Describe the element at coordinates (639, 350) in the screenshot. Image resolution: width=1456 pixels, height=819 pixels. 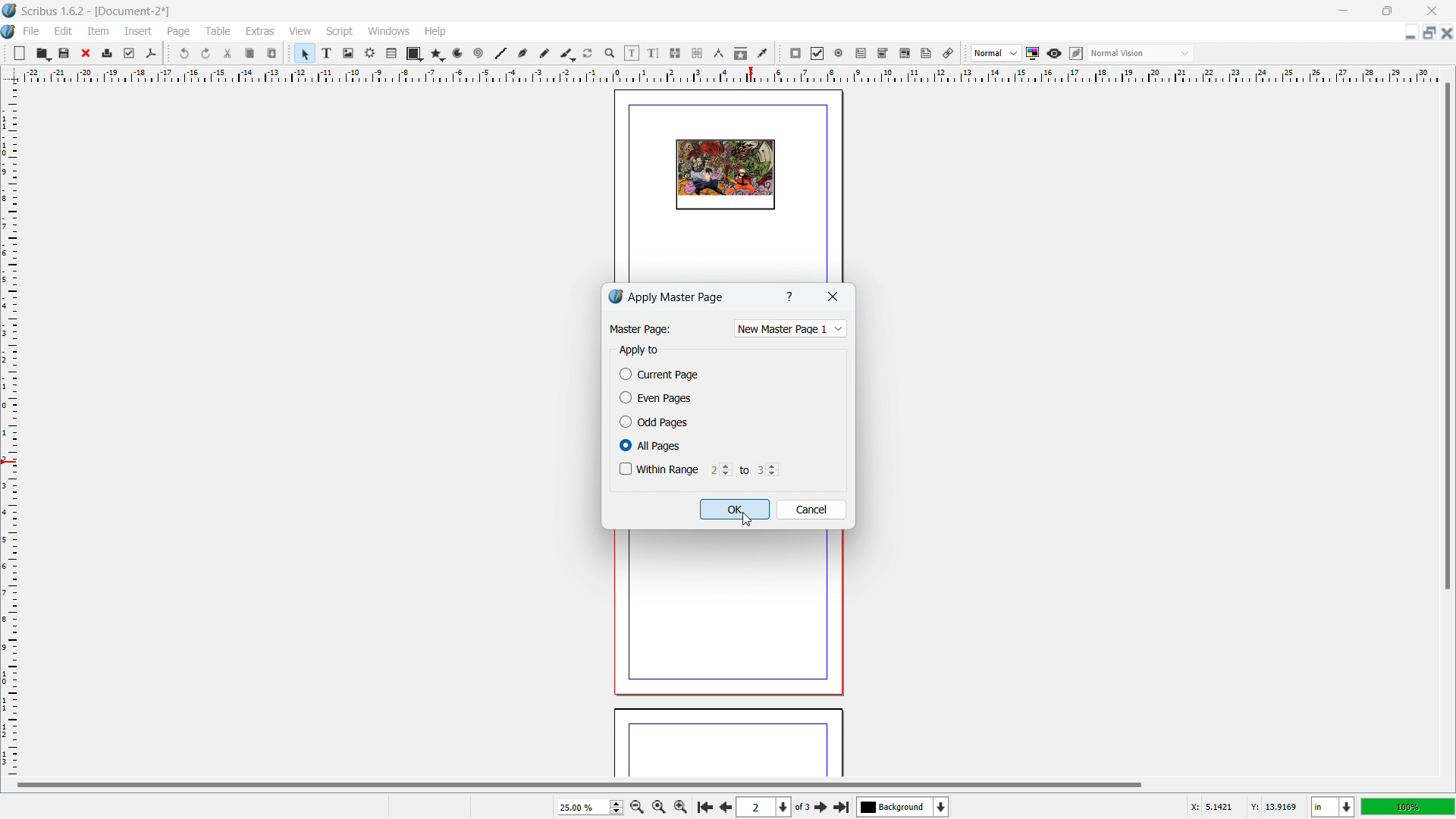
I see `apply to` at that location.